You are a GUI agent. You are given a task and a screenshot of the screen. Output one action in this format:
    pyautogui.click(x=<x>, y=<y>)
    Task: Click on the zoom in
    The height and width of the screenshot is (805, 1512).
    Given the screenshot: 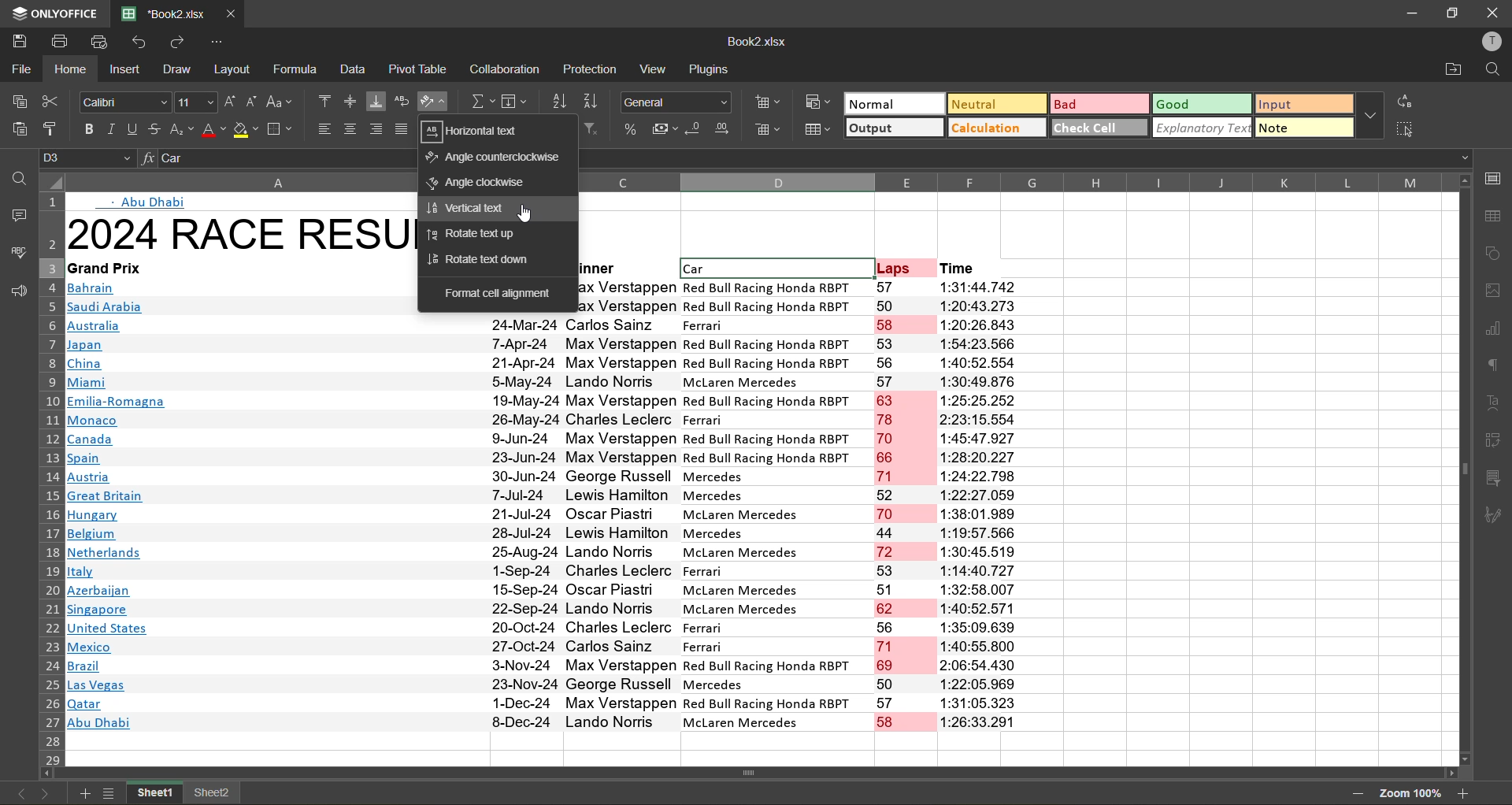 What is the action you would take?
    pyautogui.click(x=1464, y=794)
    